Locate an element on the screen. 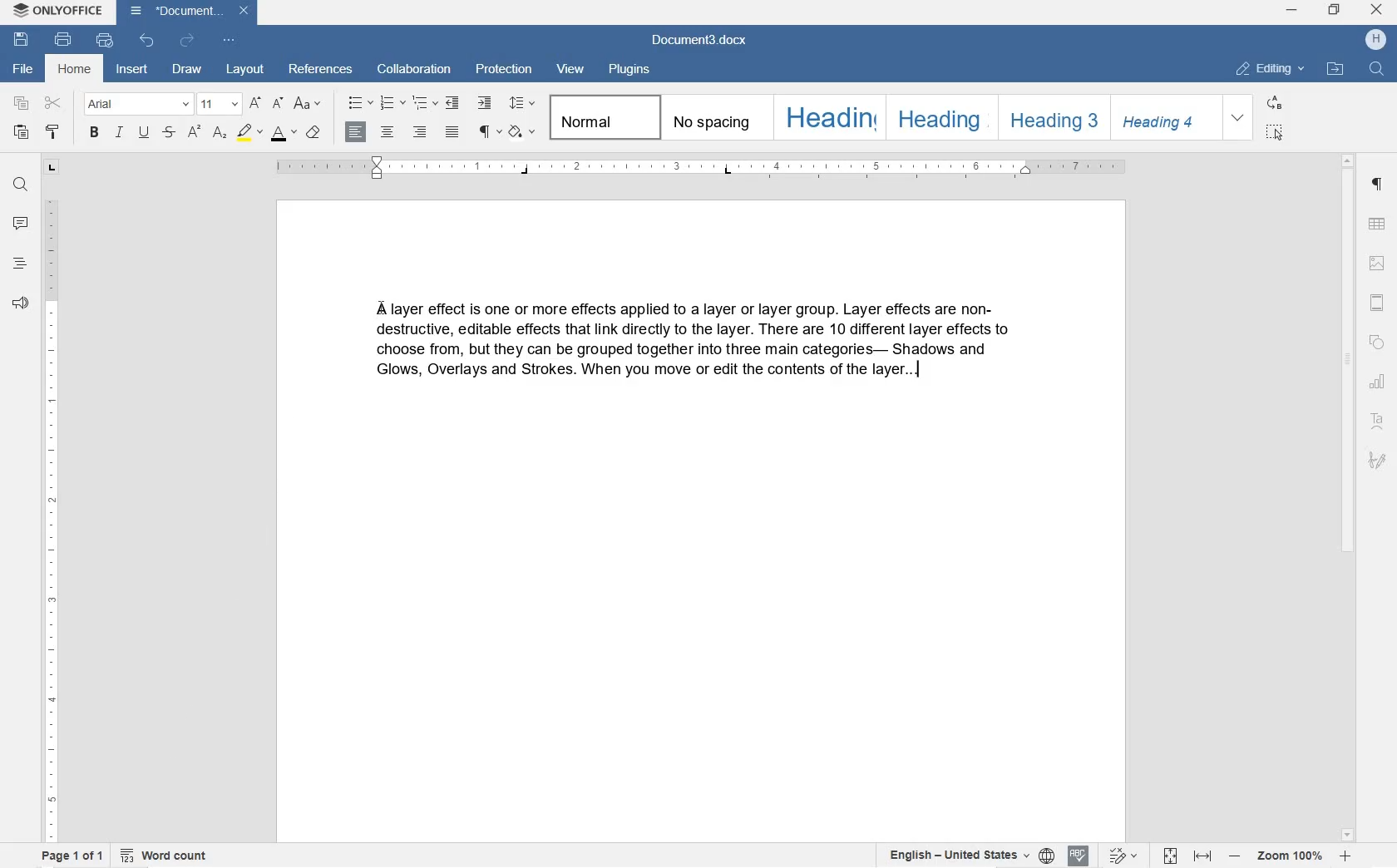 The height and width of the screenshot is (868, 1397). SHAPE is located at coordinates (1375, 343).